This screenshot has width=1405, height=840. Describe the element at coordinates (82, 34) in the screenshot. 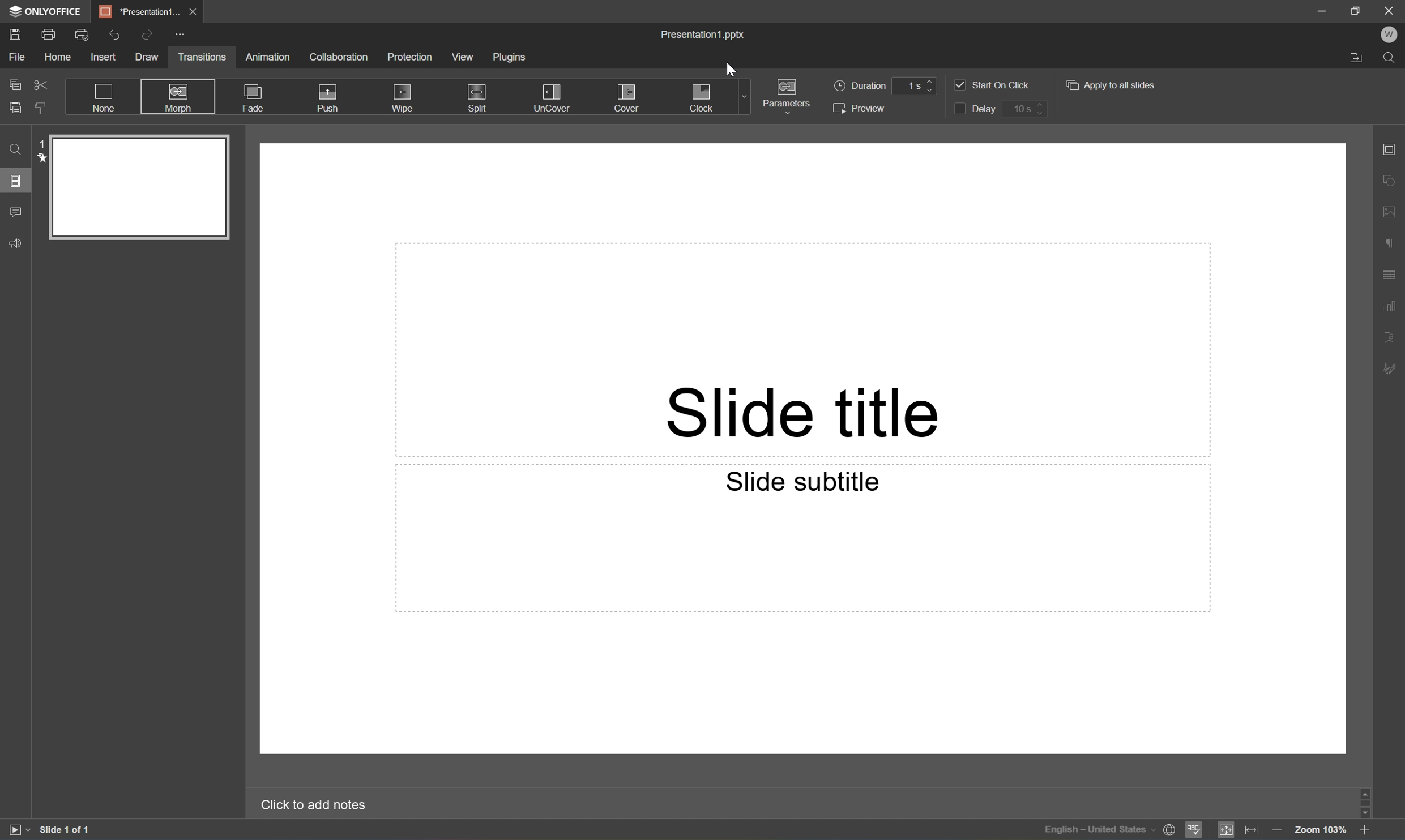

I see `Quick print` at that location.